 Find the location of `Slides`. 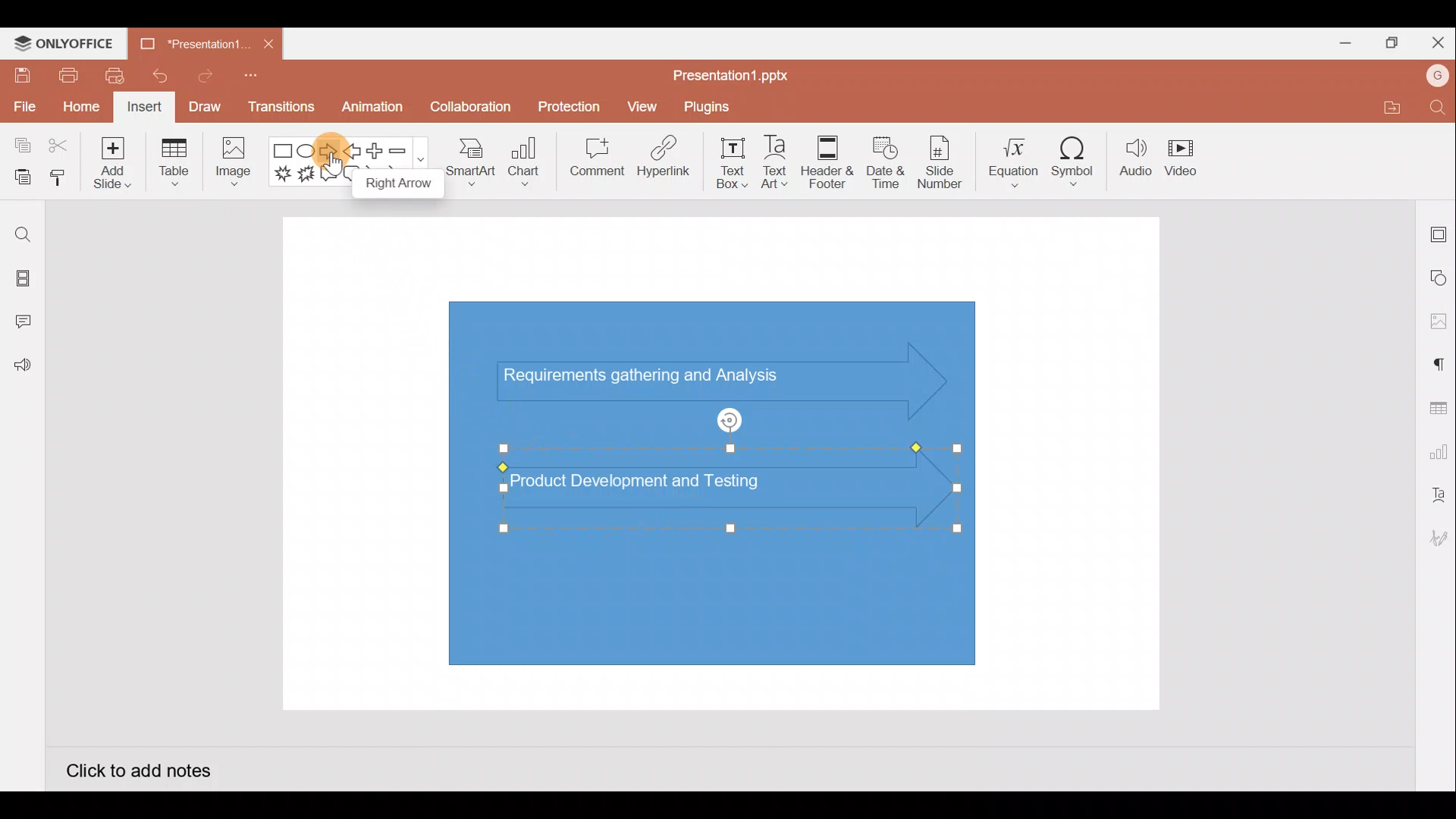

Slides is located at coordinates (21, 281).